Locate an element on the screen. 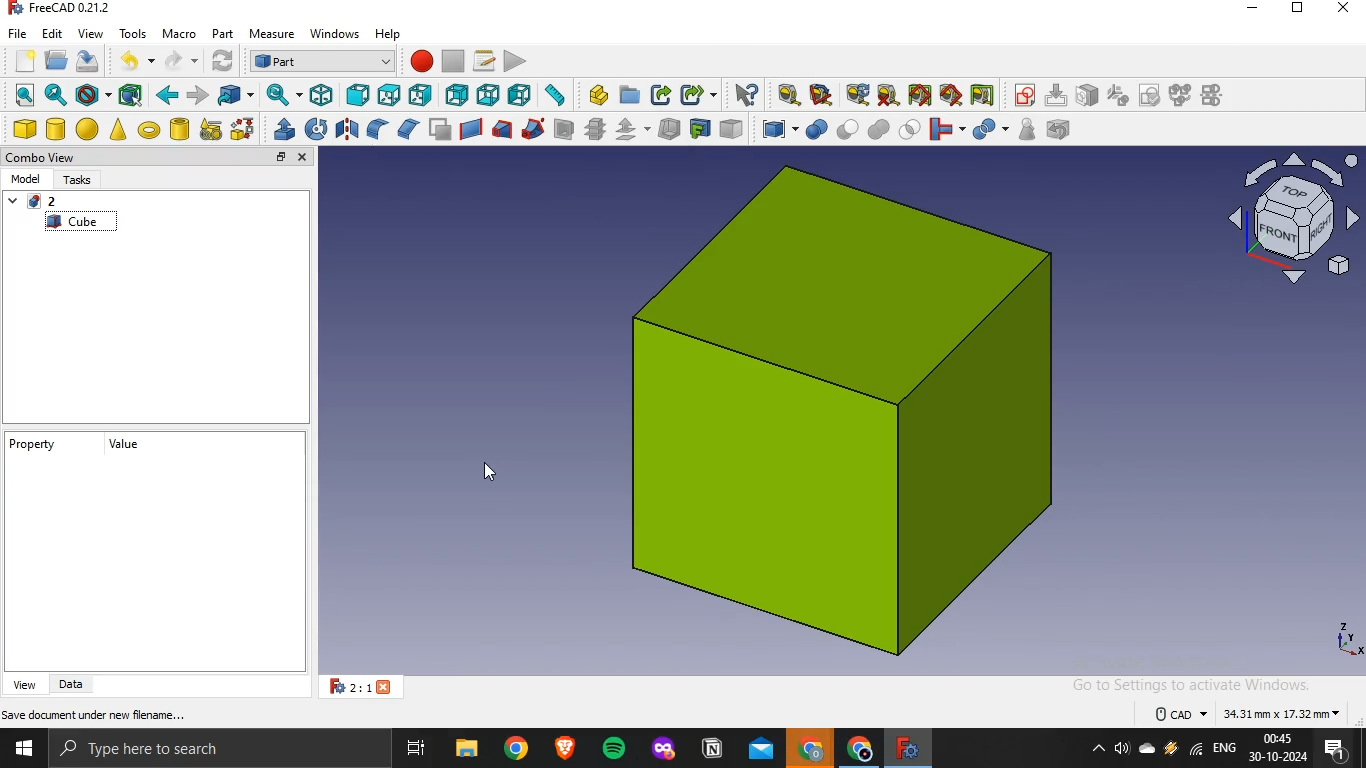  cylinder is located at coordinates (57, 129).